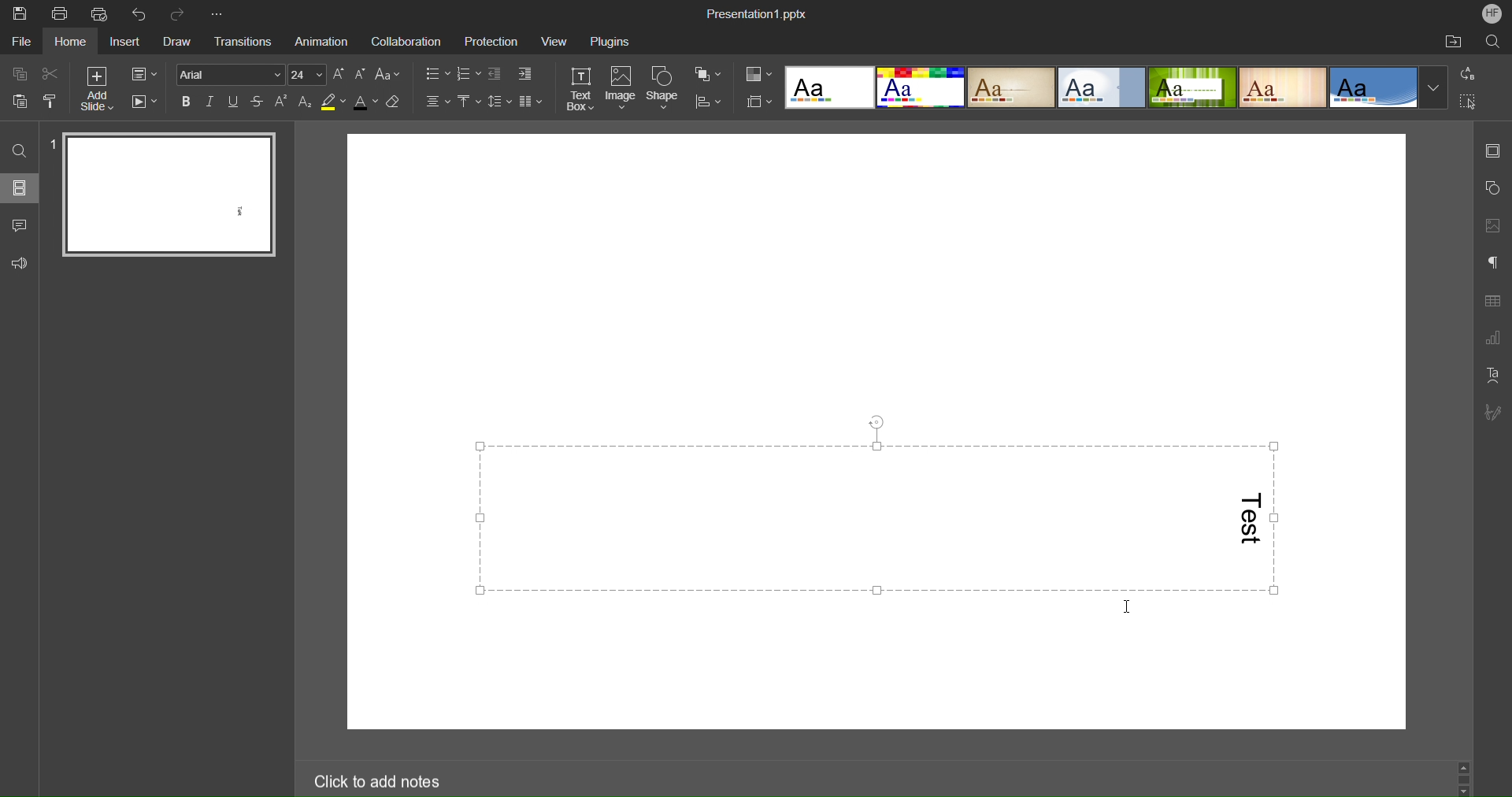 This screenshot has height=797, width=1512. I want to click on Bold, so click(187, 101).